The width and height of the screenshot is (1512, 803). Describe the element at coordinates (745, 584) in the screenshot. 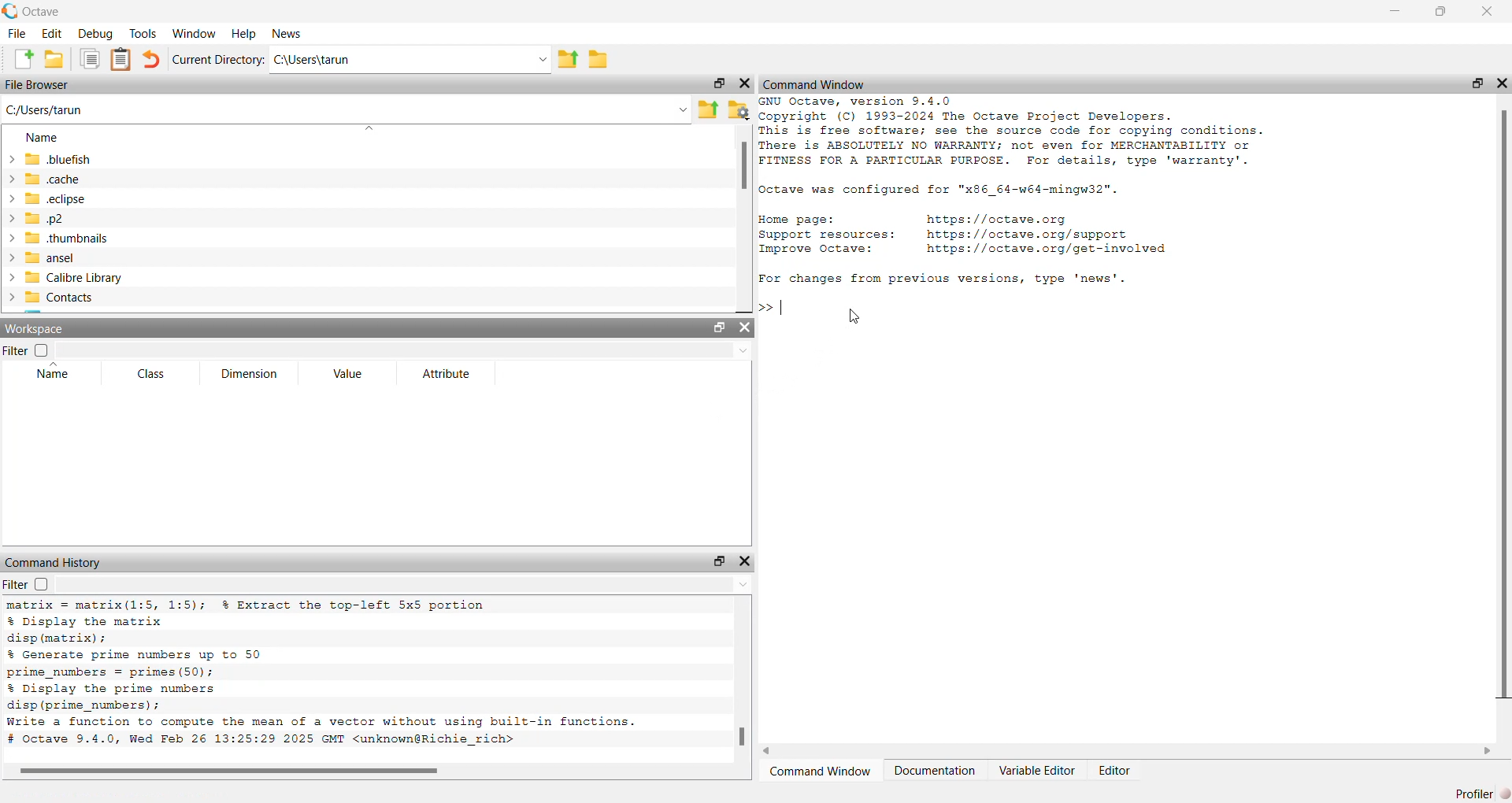

I see `Drop-down ` at that location.